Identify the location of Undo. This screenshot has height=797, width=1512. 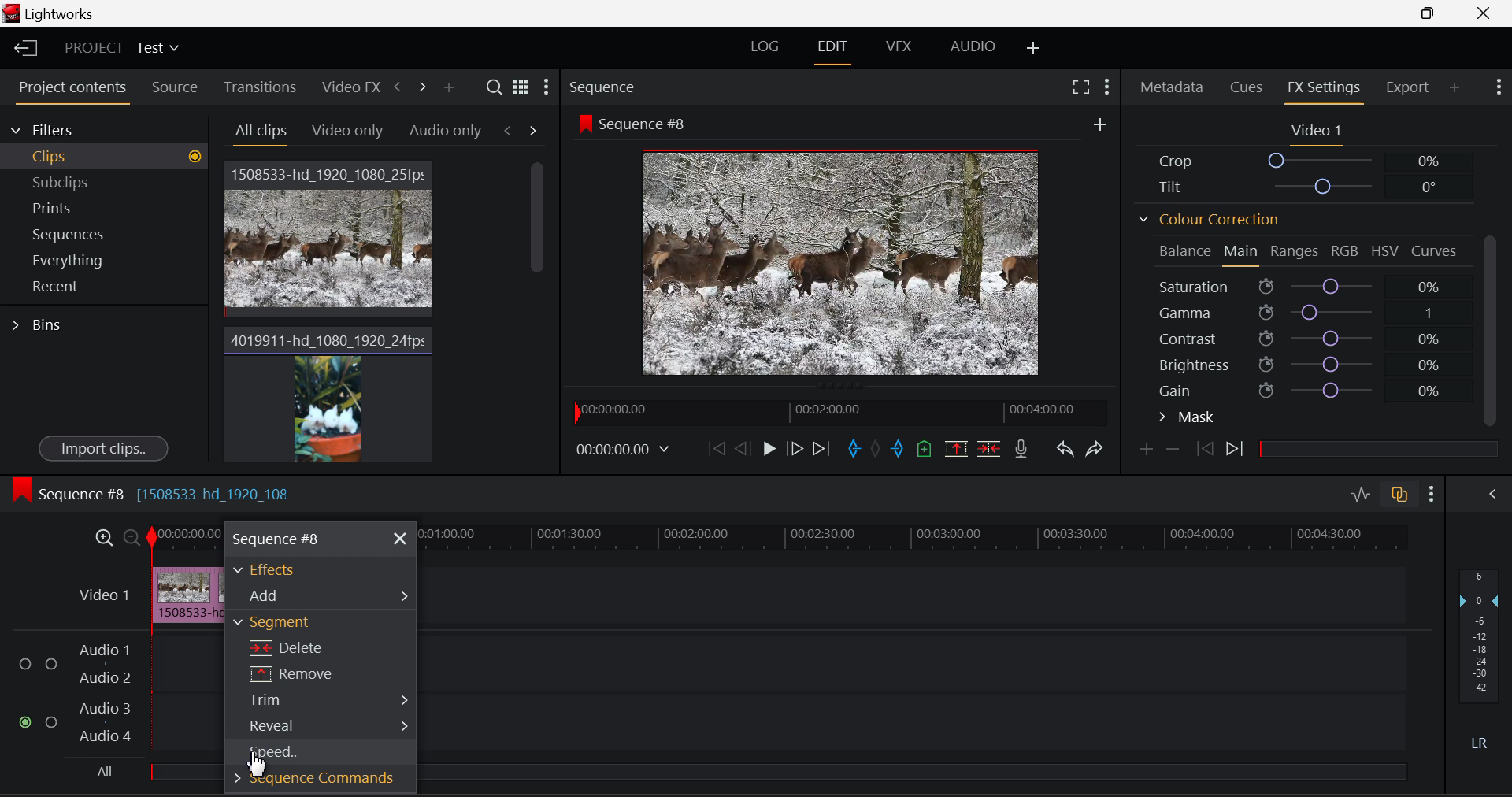
(1063, 451).